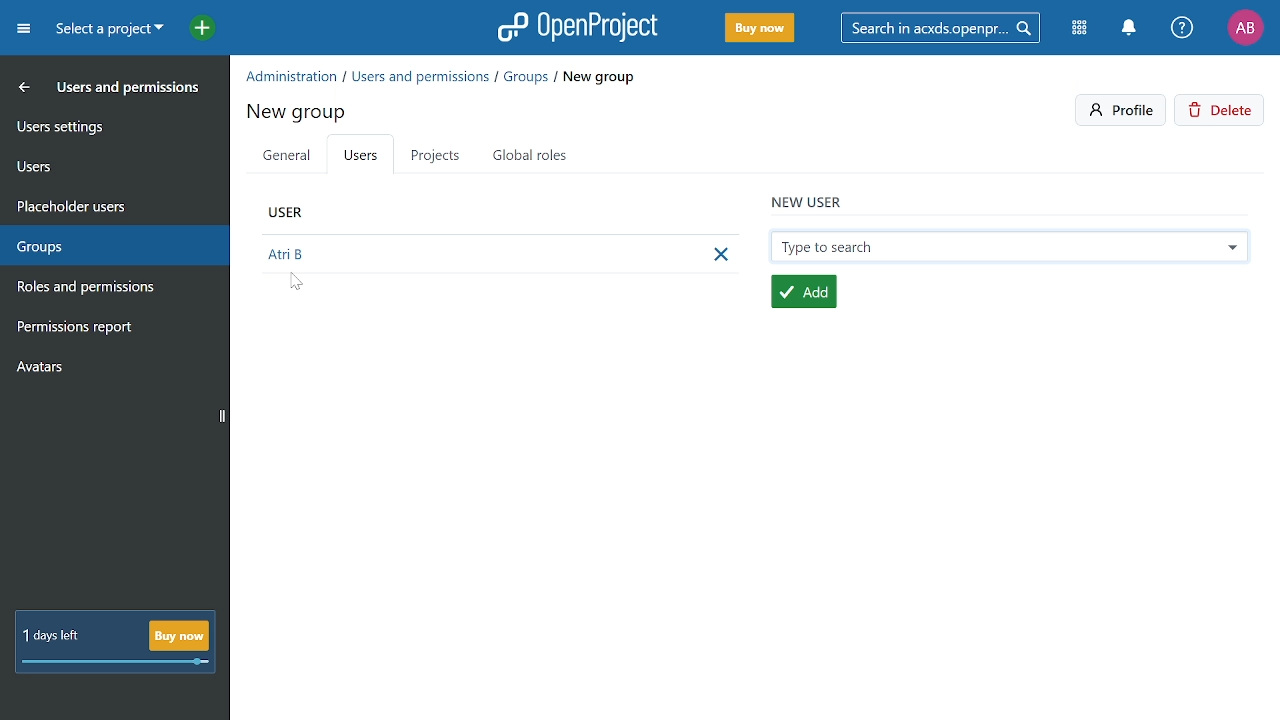 Image resolution: width=1280 pixels, height=720 pixels. Describe the element at coordinates (719, 255) in the screenshot. I see `Remove user` at that location.